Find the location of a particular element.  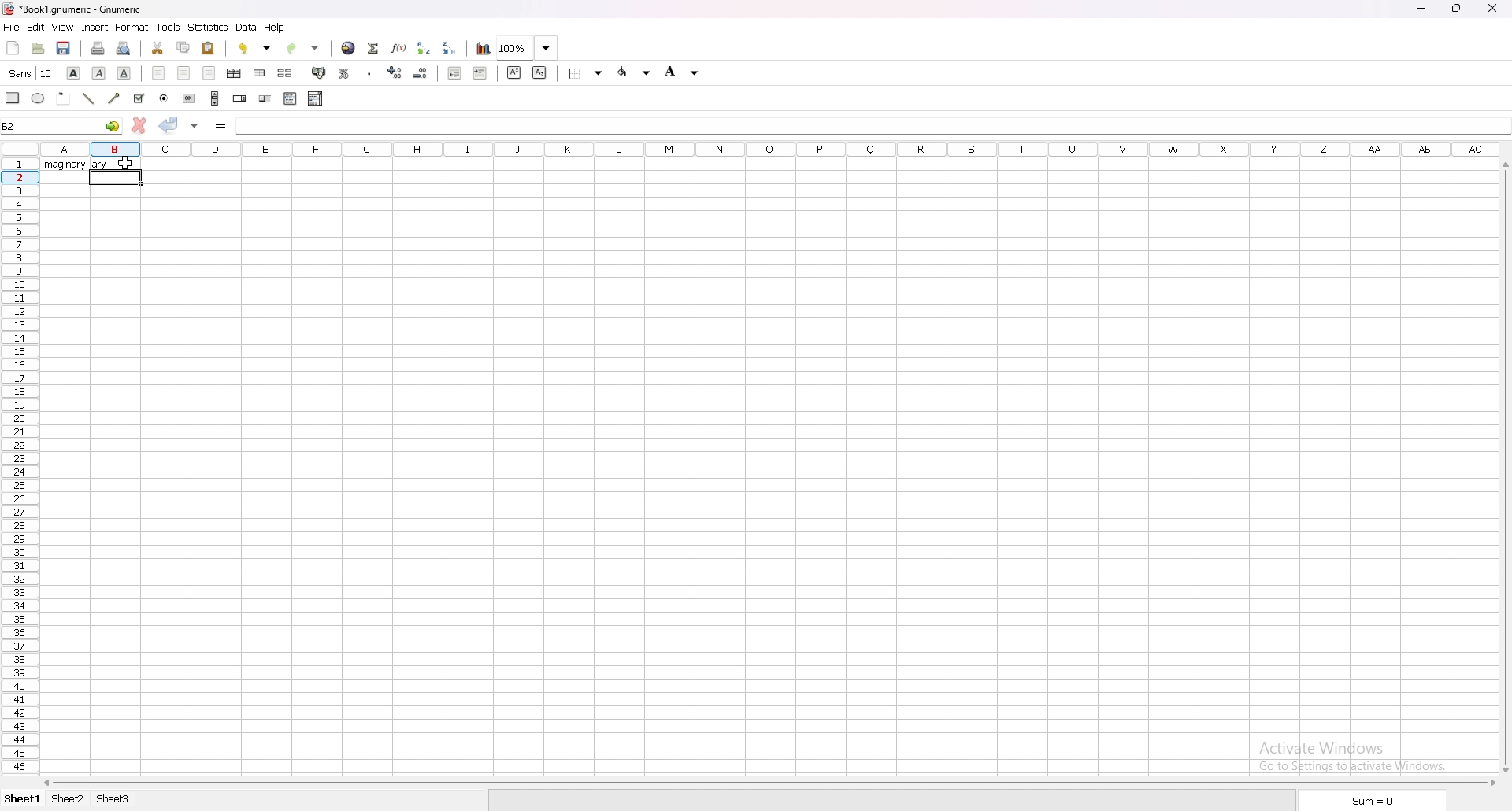

Coloumn is located at coordinates (19, 483).